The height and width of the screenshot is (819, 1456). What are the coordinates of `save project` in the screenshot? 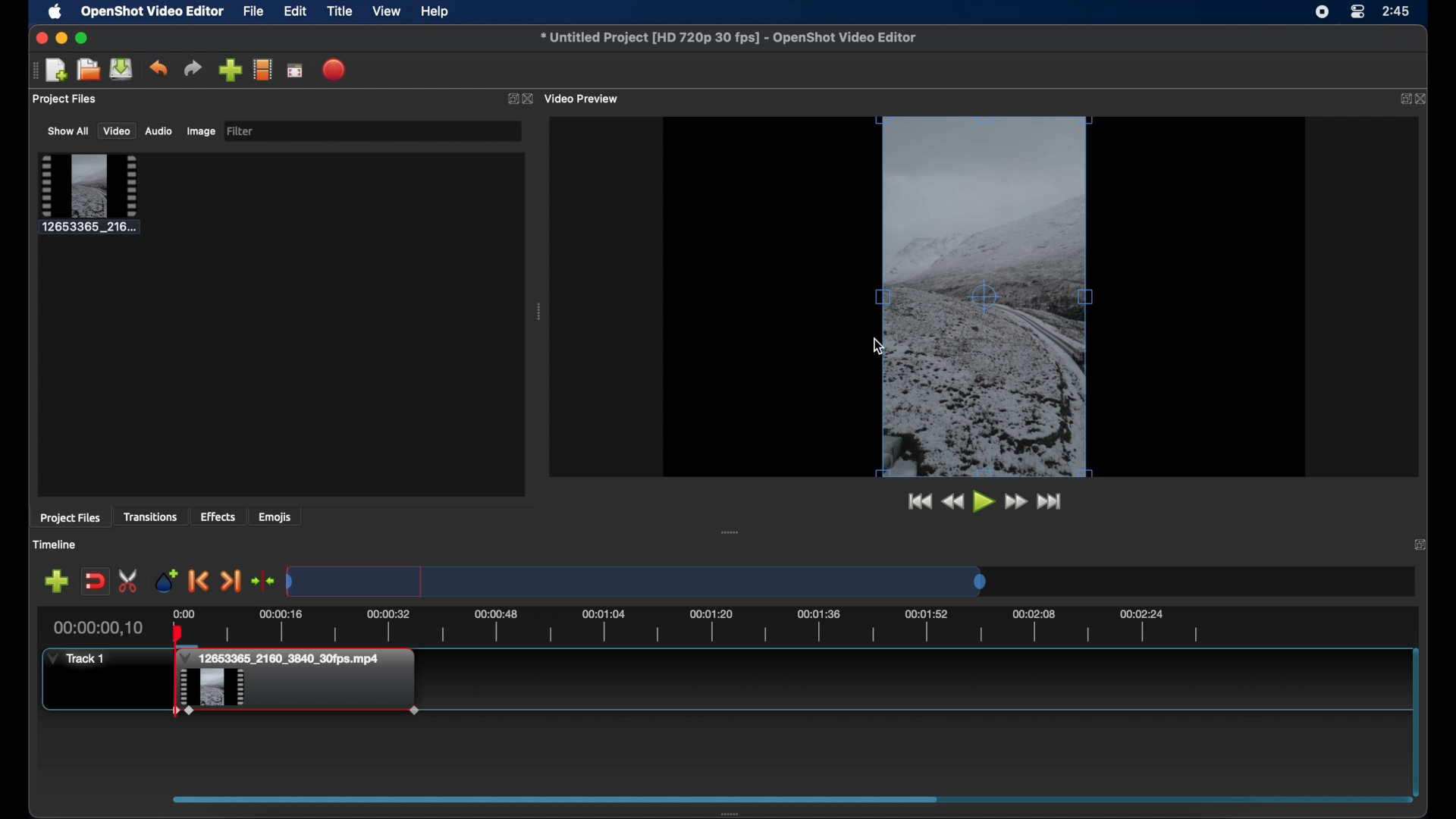 It's located at (122, 69).